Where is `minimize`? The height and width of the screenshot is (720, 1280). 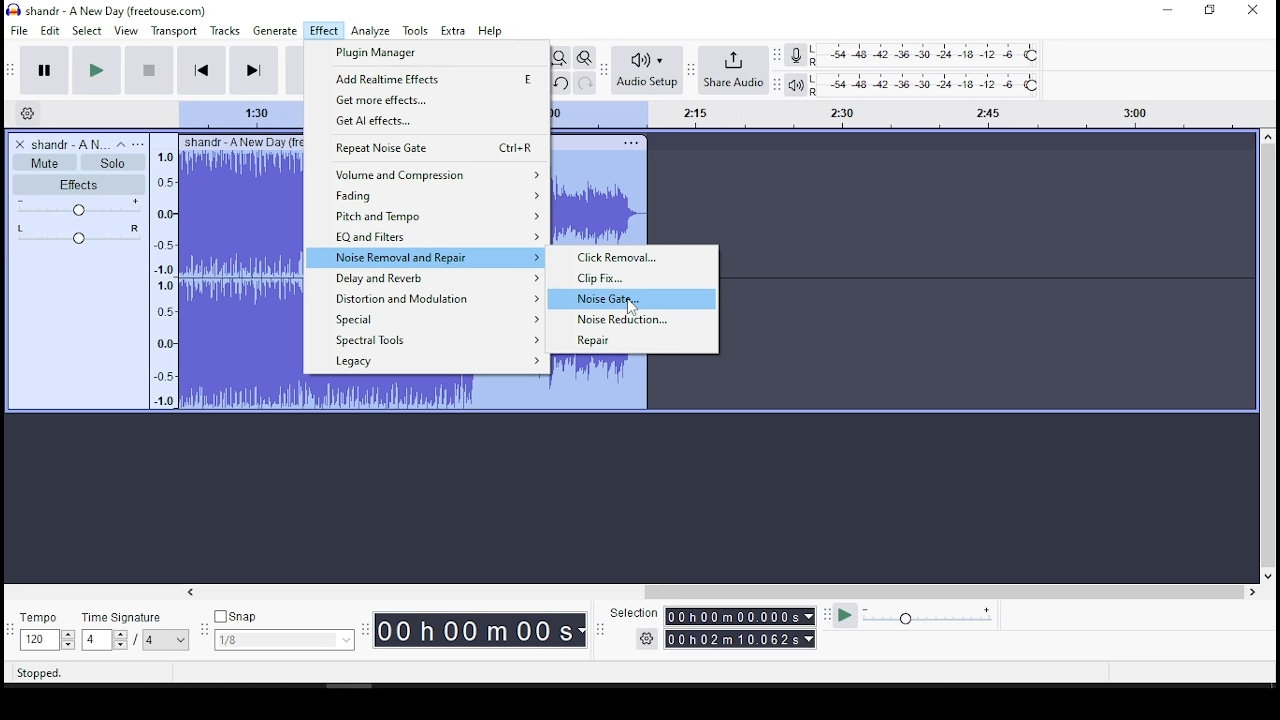
minimize is located at coordinates (1167, 10).